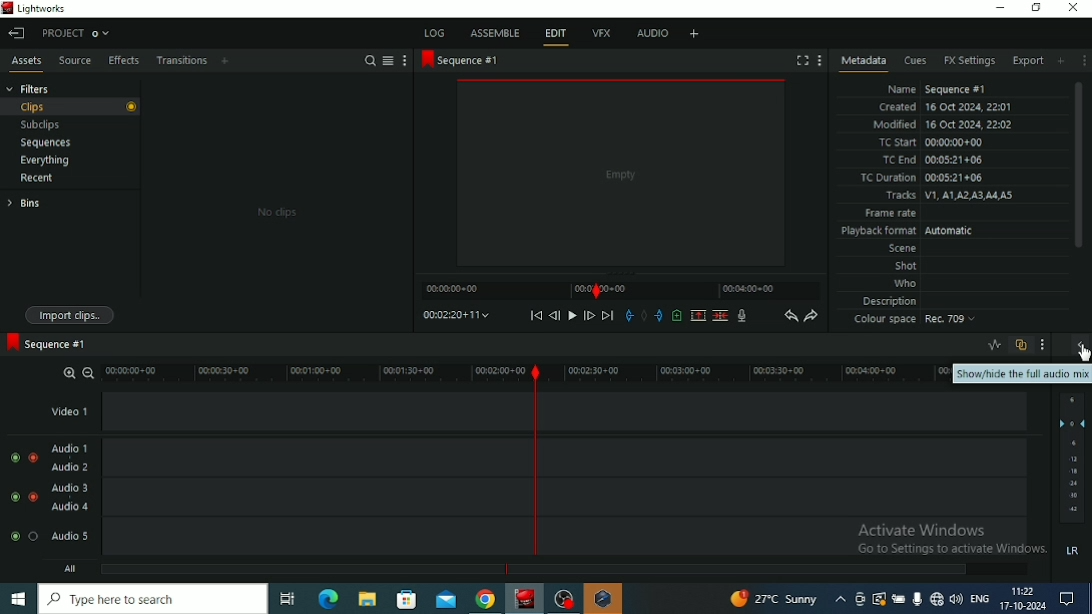 The height and width of the screenshot is (614, 1092). What do you see at coordinates (628, 316) in the screenshot?
I see `Add an 'in' mark at the current position` at bounding box center [628, 316].